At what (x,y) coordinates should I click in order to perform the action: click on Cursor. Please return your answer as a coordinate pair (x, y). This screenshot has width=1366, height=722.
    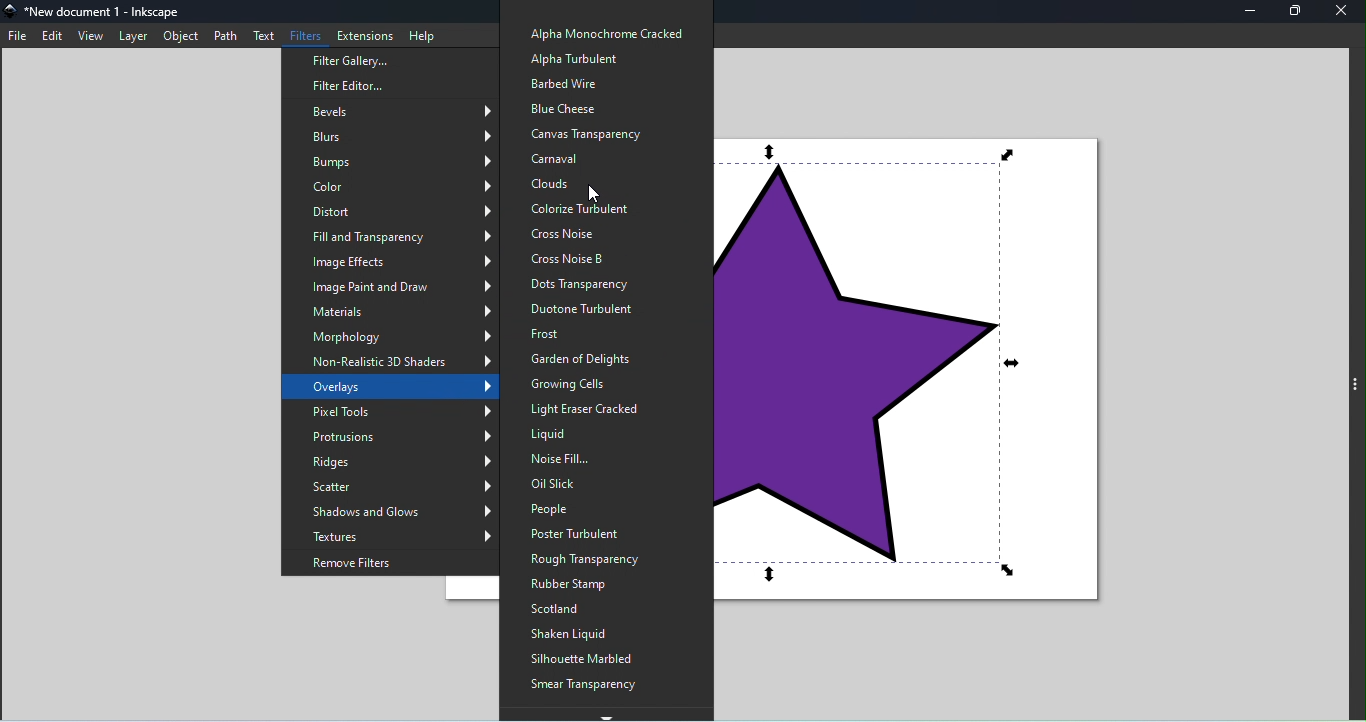
    Looking at the image, I should click on (595, 190).